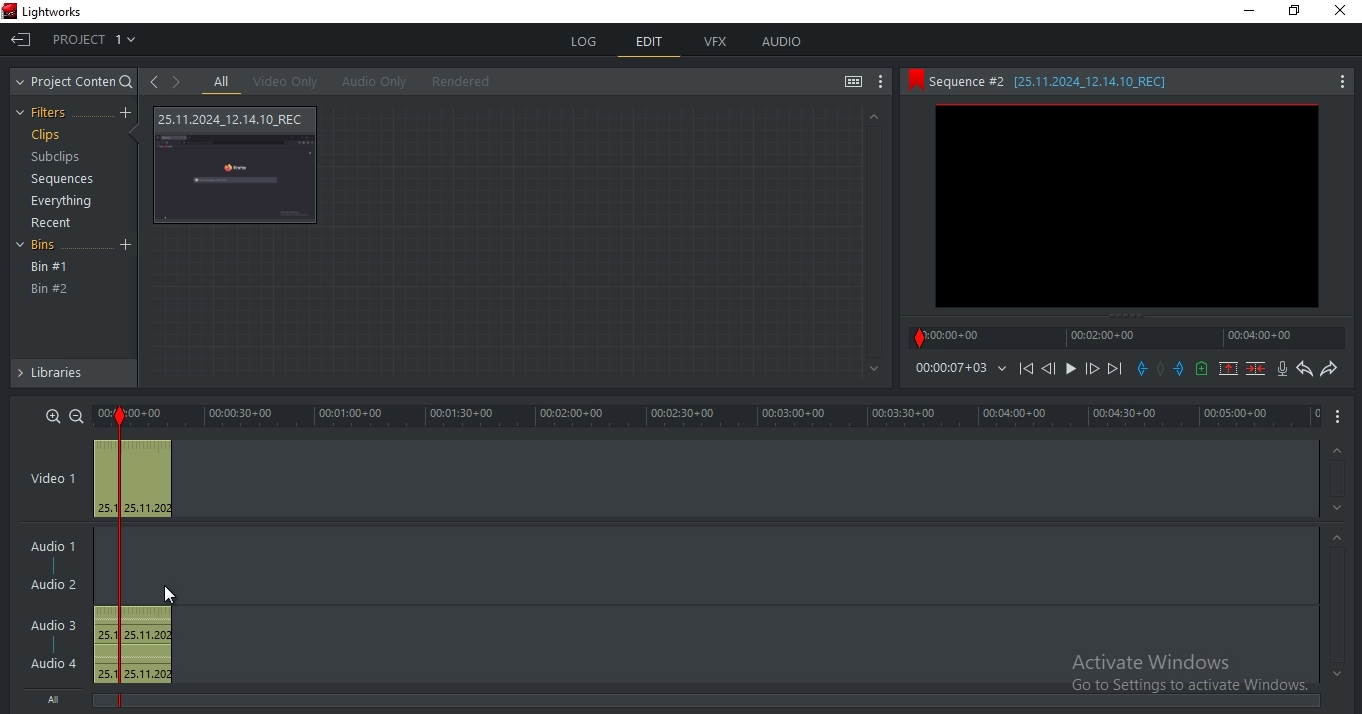 The image size is (1362, 714). I want to click on timeline, so click(1130, 337).